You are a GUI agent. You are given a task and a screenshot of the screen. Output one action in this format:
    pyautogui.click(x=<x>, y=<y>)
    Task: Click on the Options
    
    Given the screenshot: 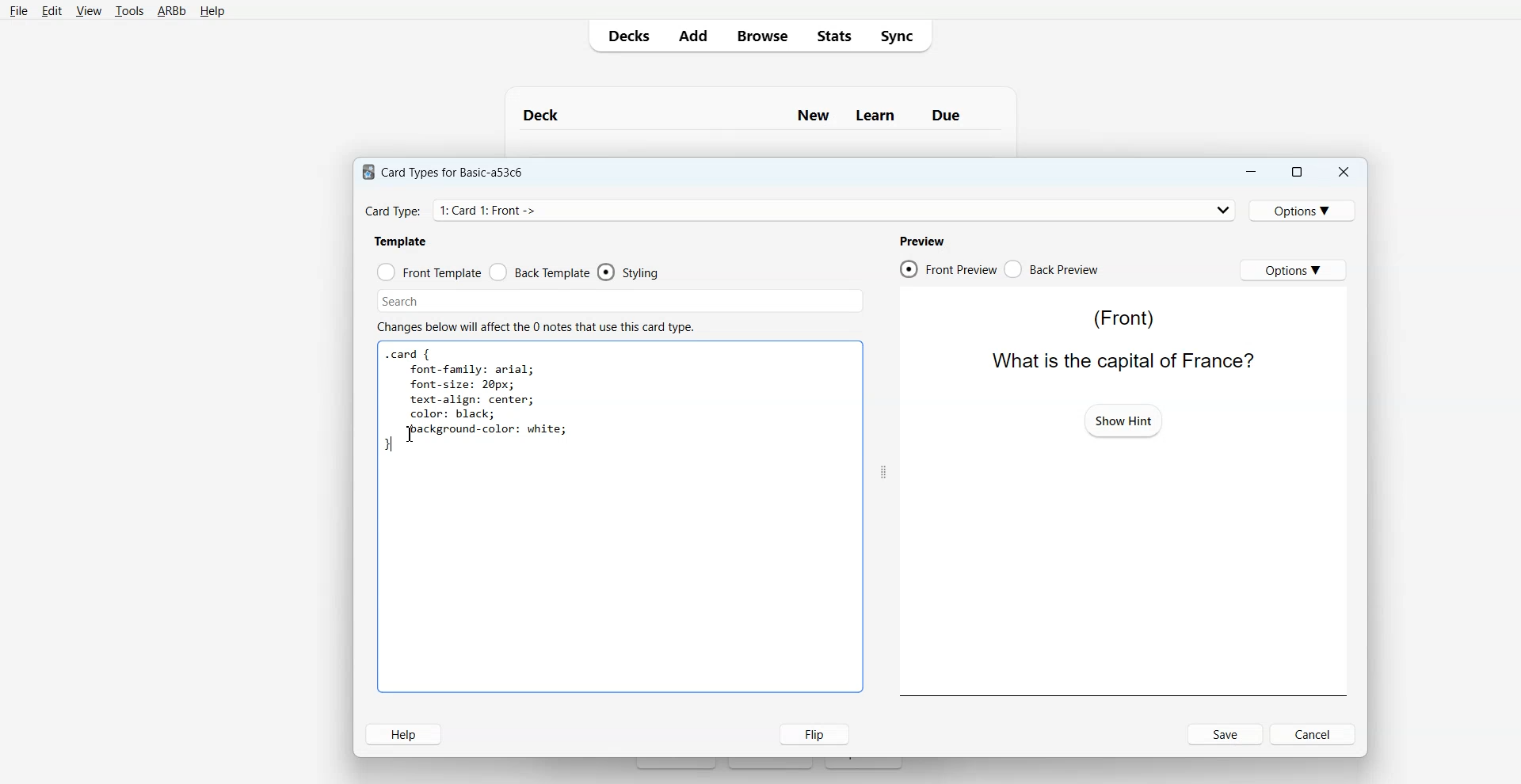 What is the action you would take?
    pyautogui.click(x=1293, y=269)
    